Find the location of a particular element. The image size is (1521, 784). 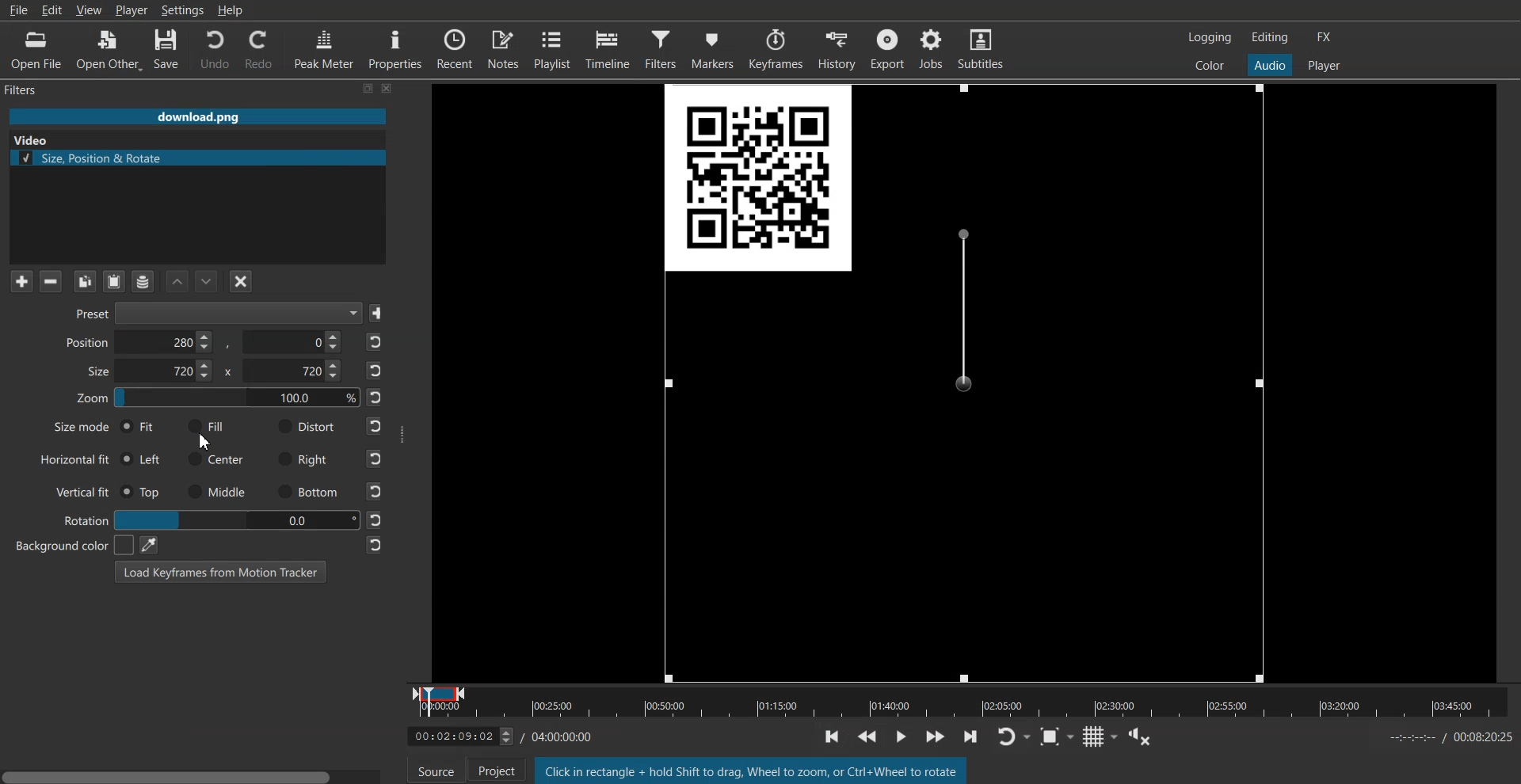

Move Filter Down is located at coordinates (207, 281).